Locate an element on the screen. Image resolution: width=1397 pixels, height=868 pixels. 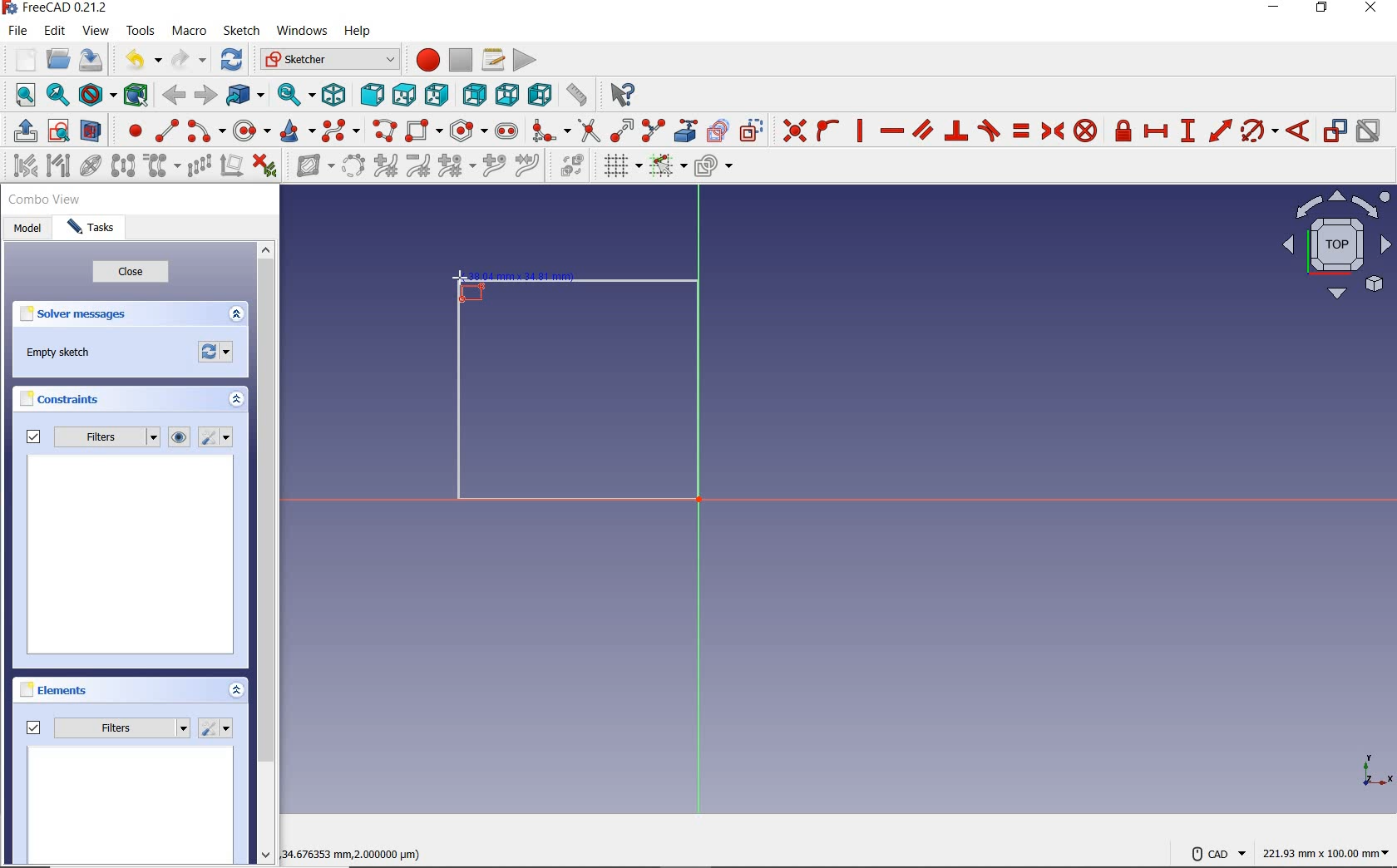
empty sketch is located at coordinates (62, 354).